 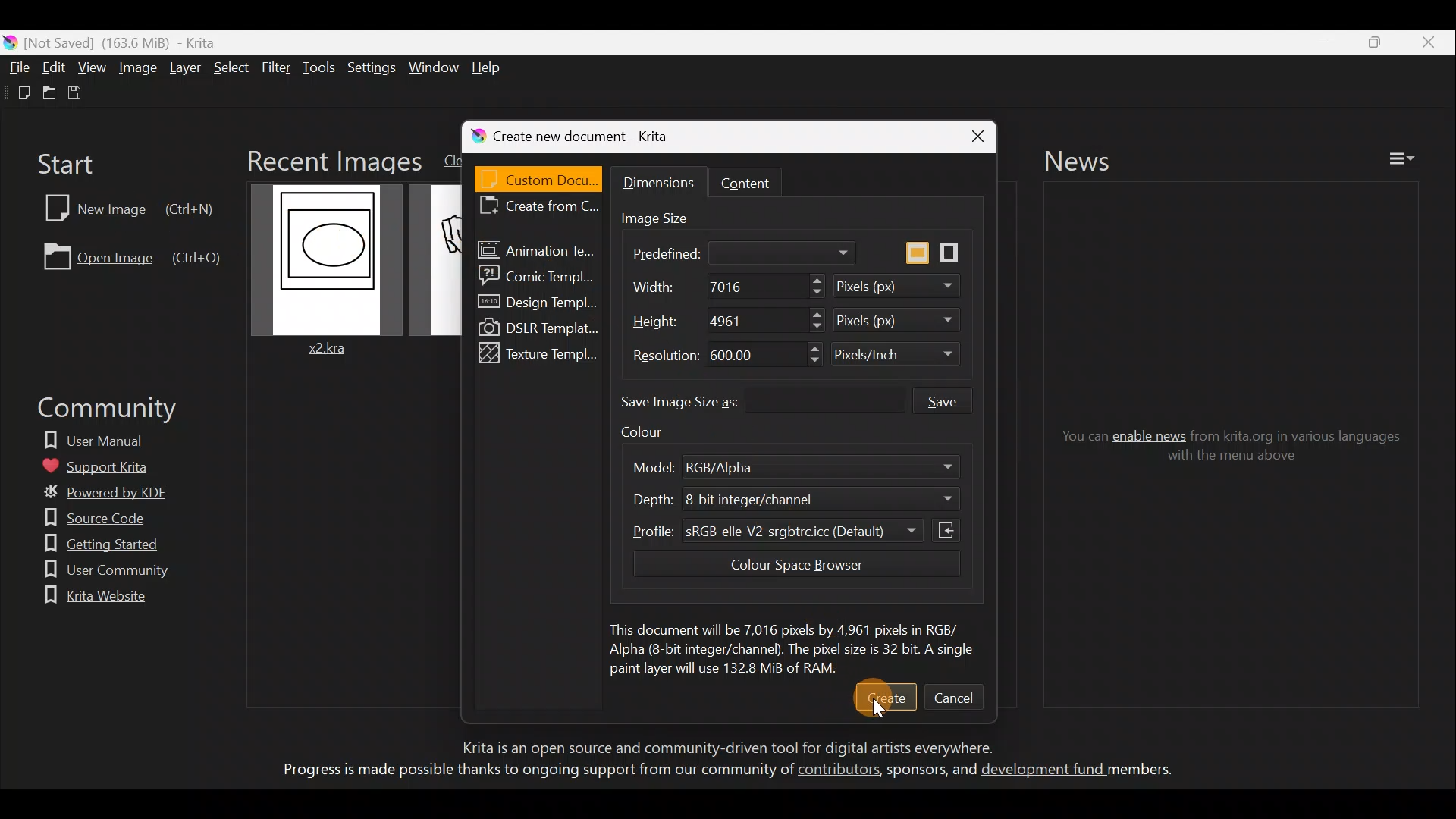 I want to click on Cursor, so click(x=881, y=710).